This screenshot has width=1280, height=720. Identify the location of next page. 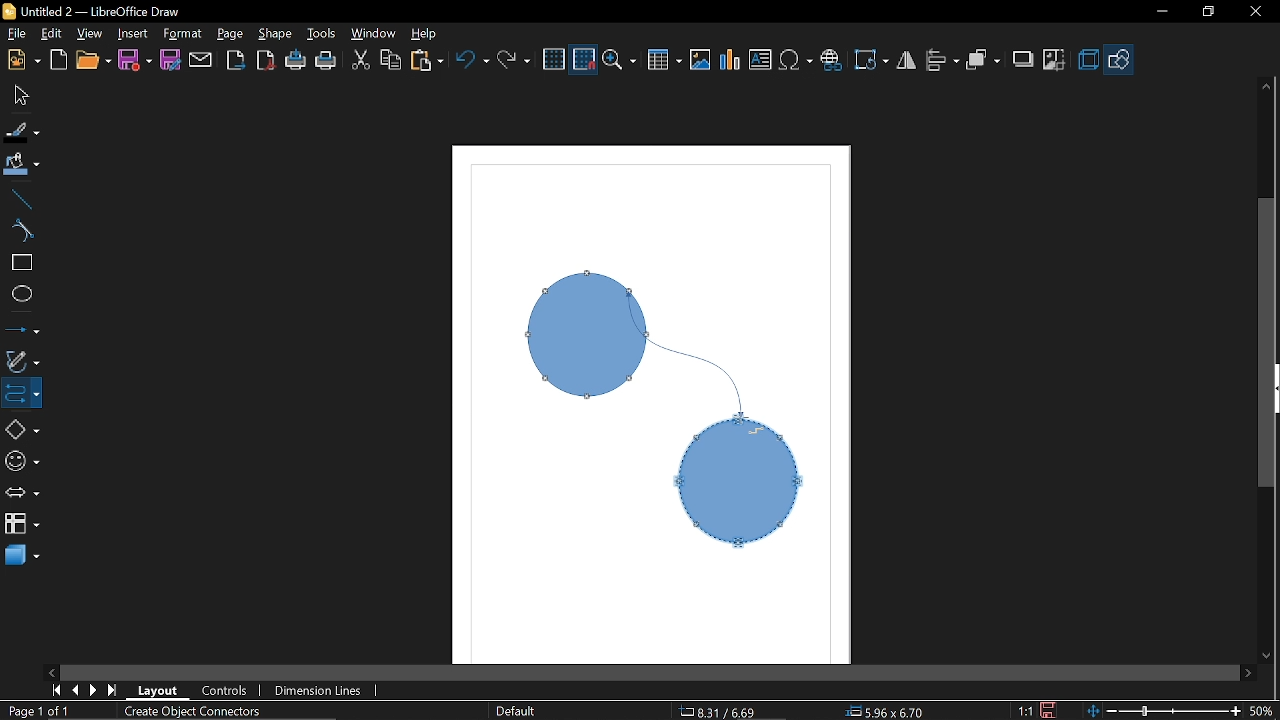
(94, 689).